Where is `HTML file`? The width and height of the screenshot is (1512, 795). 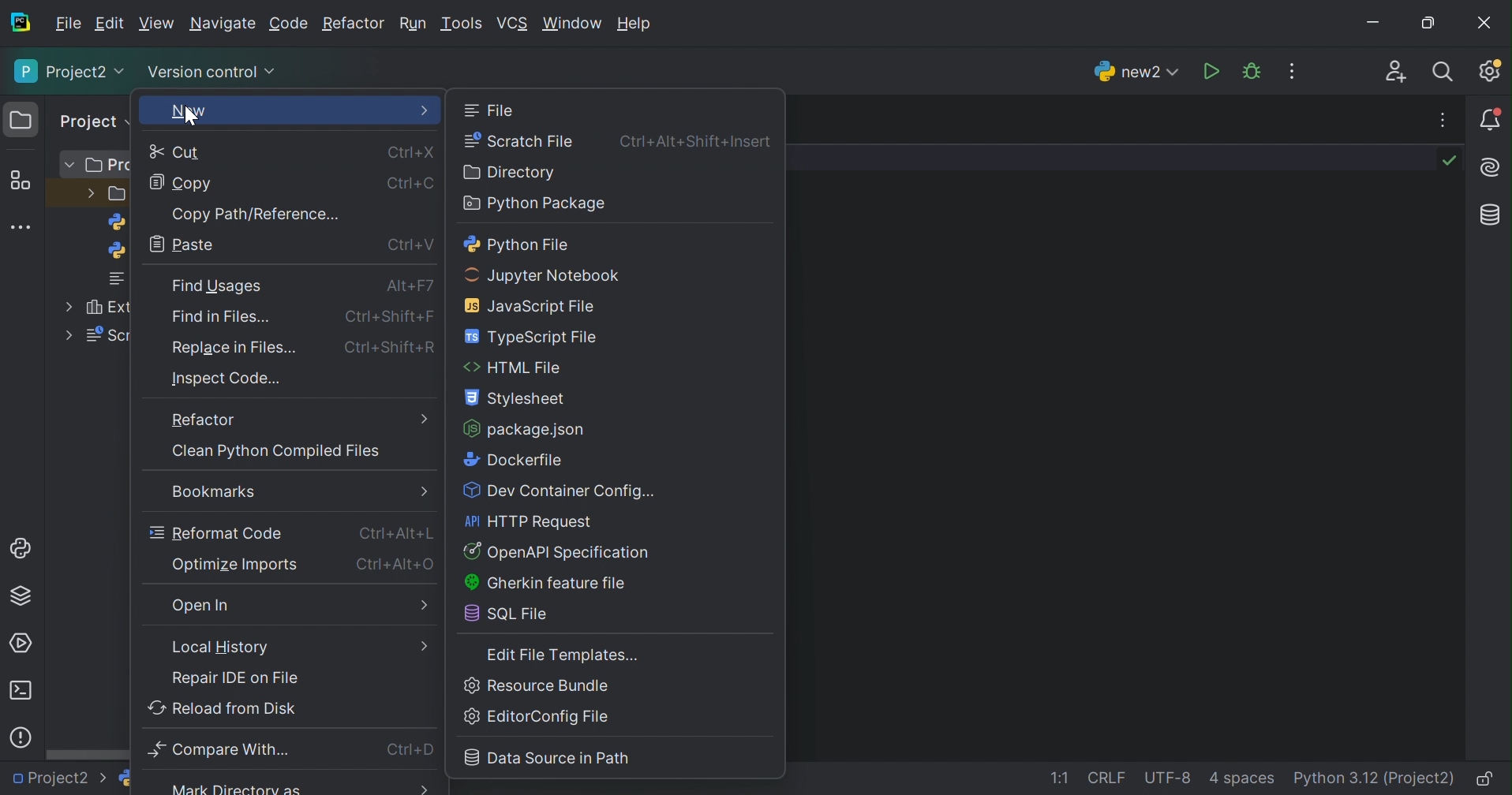 HTML file is located at coordinates (515, 368).